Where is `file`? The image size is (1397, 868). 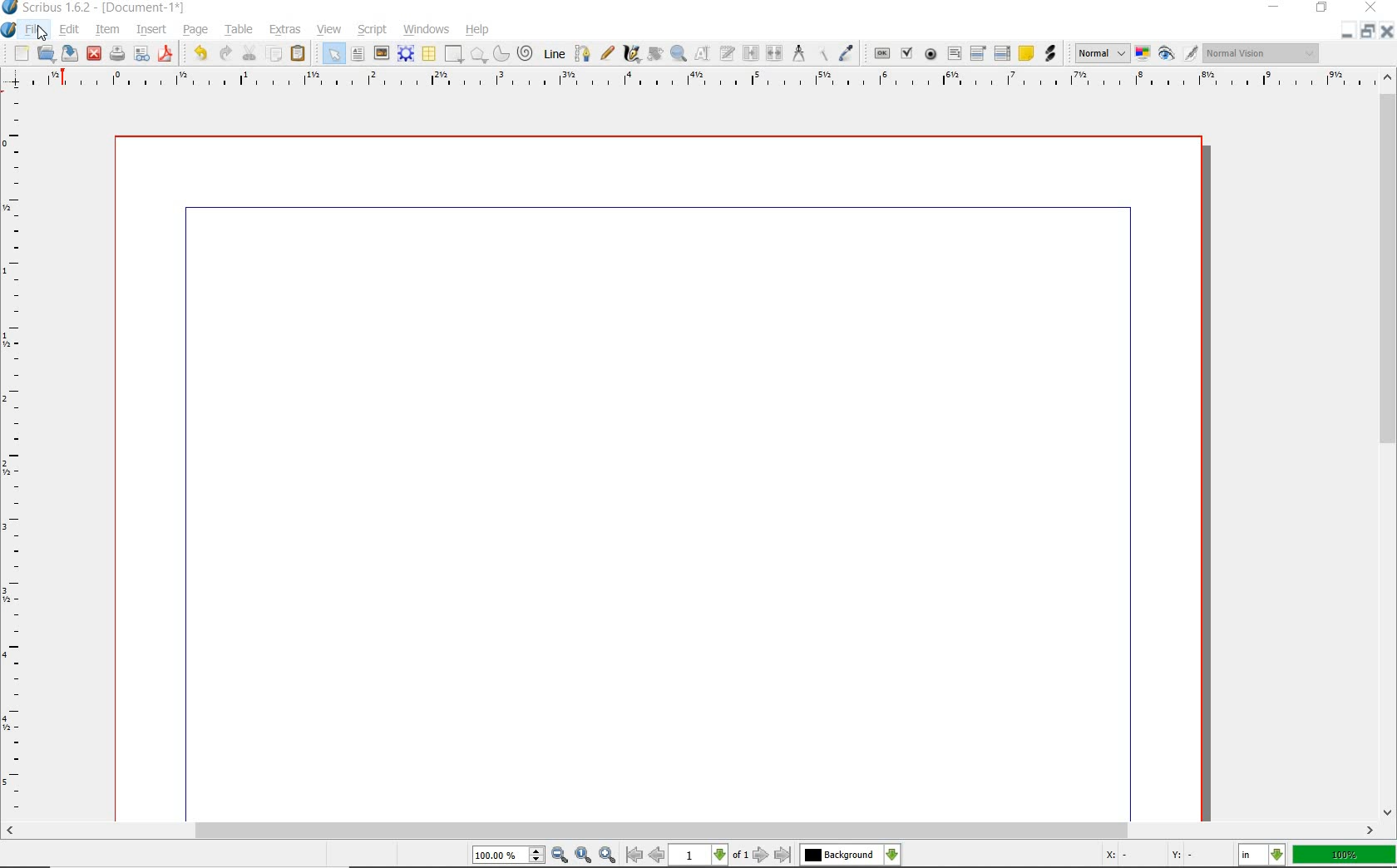
file is located at coordinates (37, 28).